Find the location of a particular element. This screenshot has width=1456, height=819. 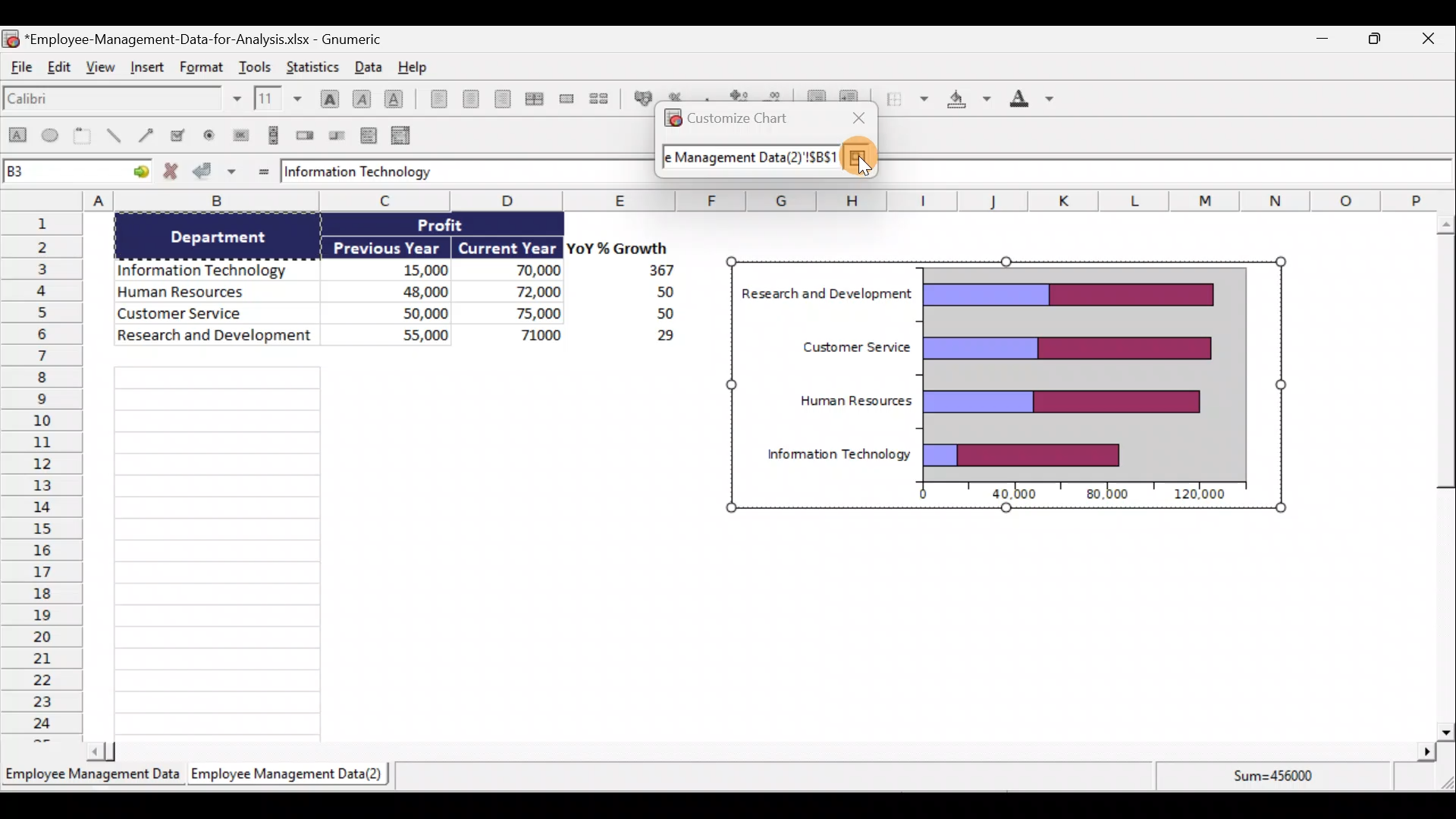

Research and Development is located at coordinates (827, 295).